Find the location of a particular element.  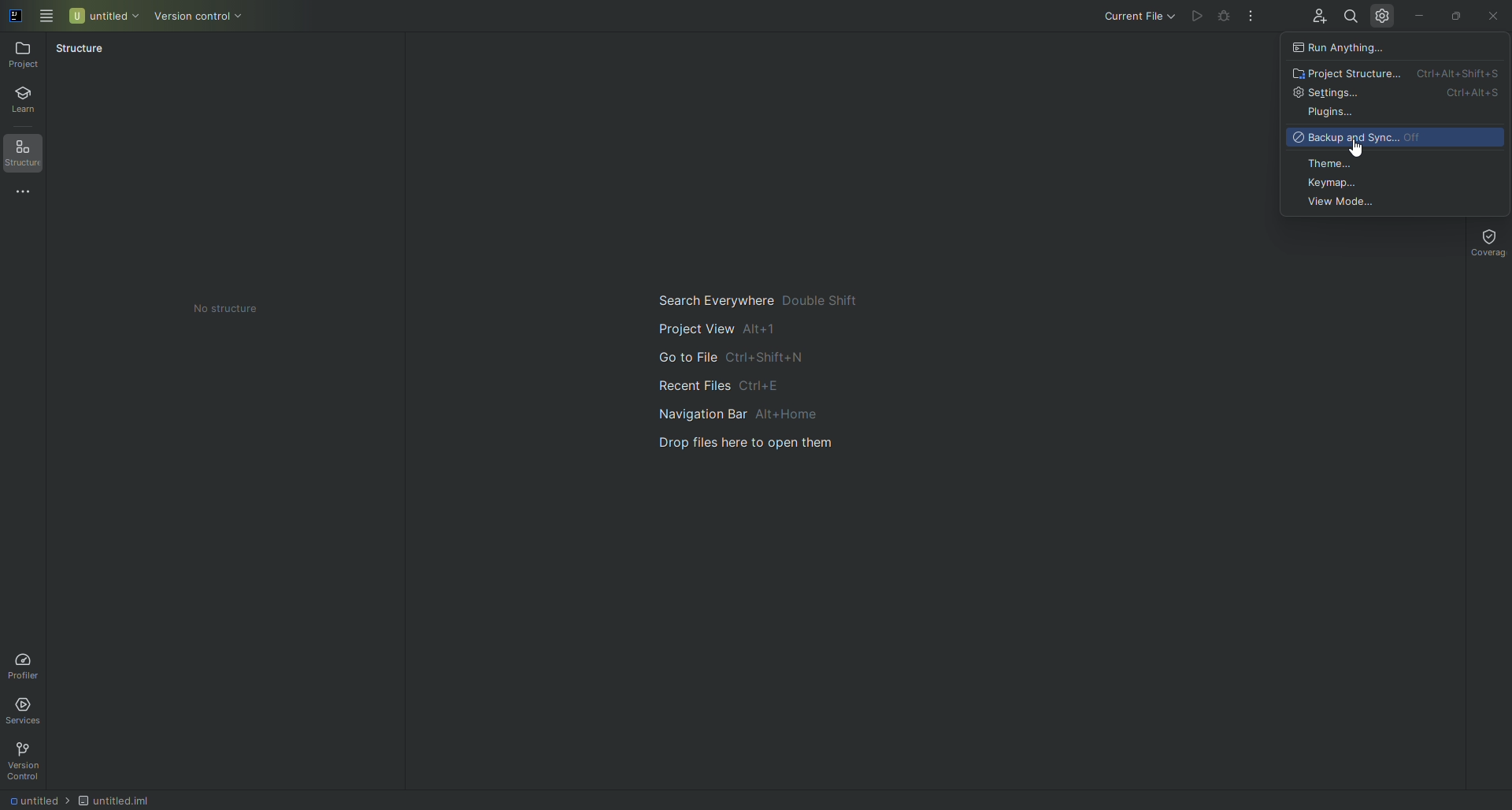

Project View is located at coordinates (718, 328).